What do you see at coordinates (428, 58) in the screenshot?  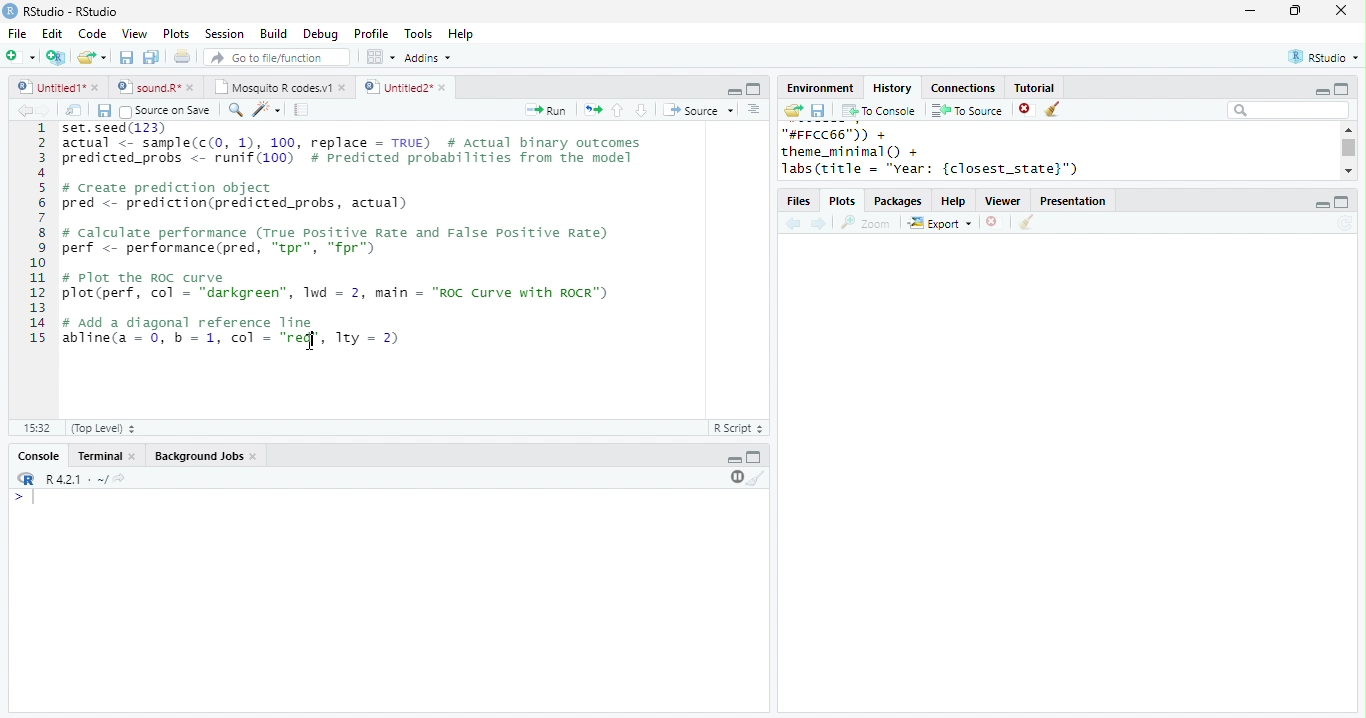 I see `Addins` at bounding box center [428, 58].